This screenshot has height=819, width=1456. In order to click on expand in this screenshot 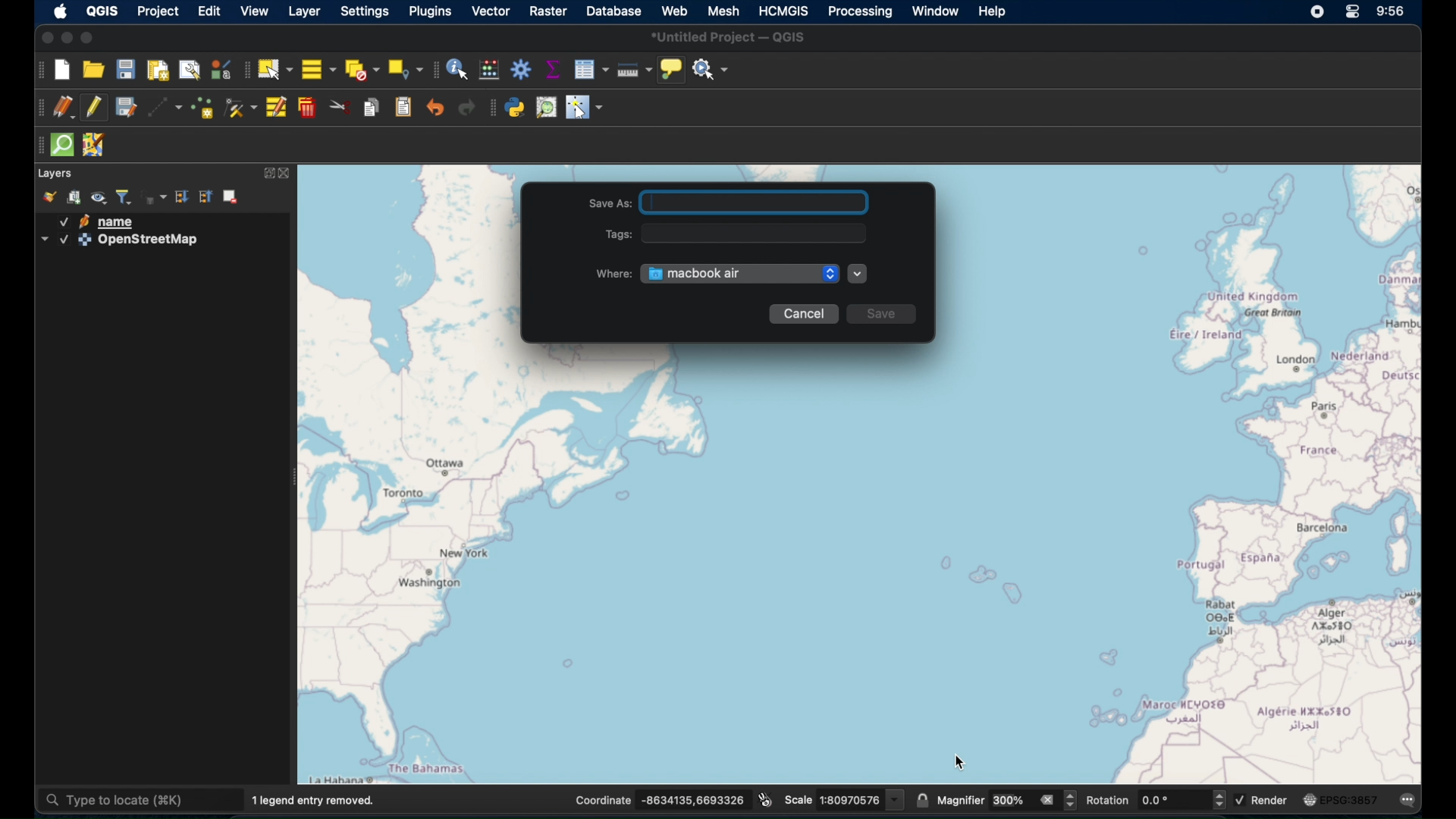, I will do `click(265, 174)`.